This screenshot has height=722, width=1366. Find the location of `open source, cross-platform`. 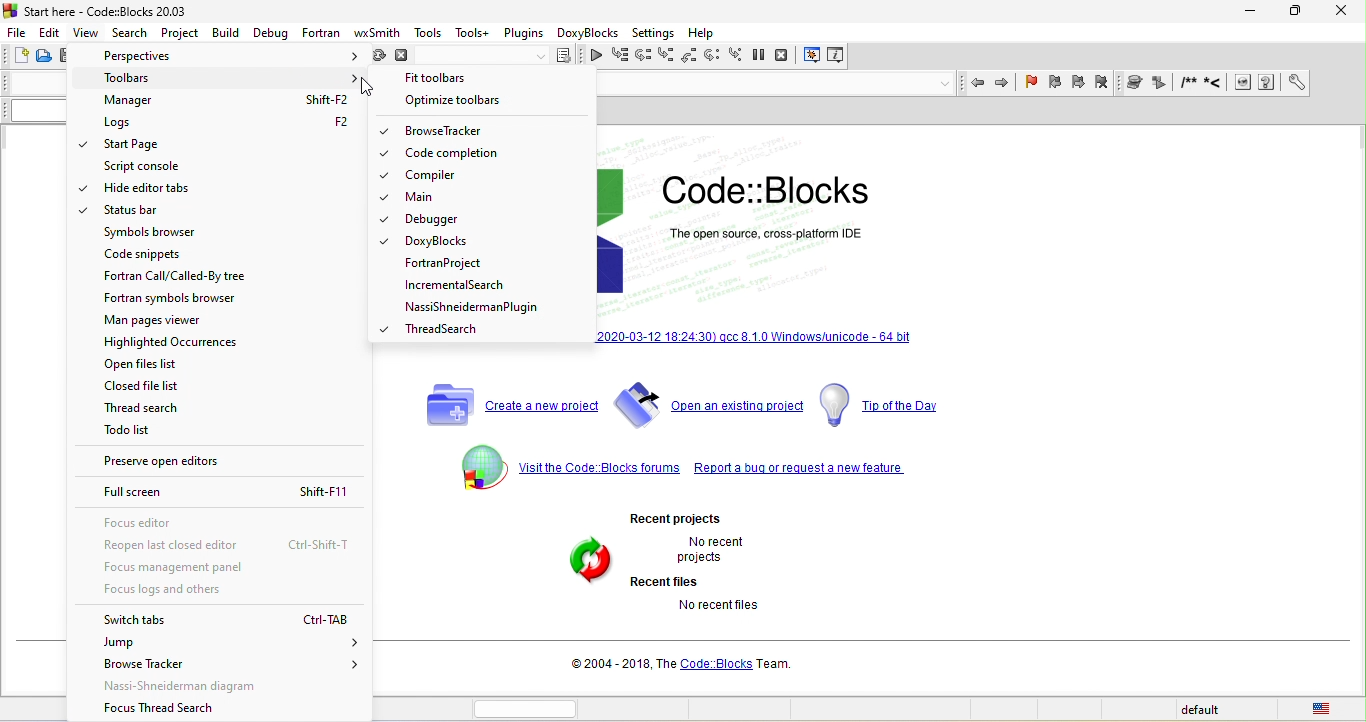

open source, cross-platform is located at coordinates (784, 241).